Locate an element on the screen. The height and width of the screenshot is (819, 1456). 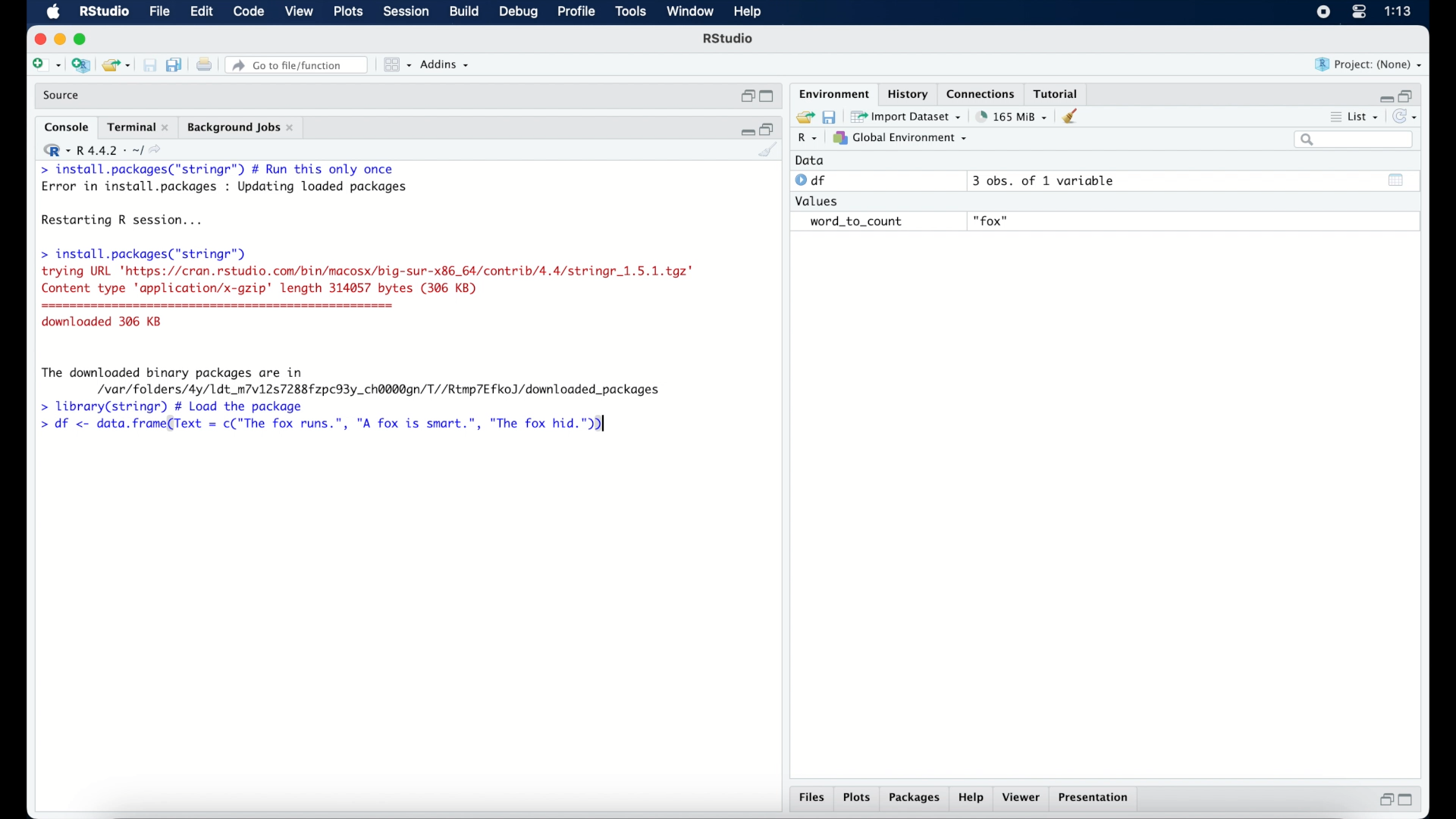
R is located at coordinates (808, 139).